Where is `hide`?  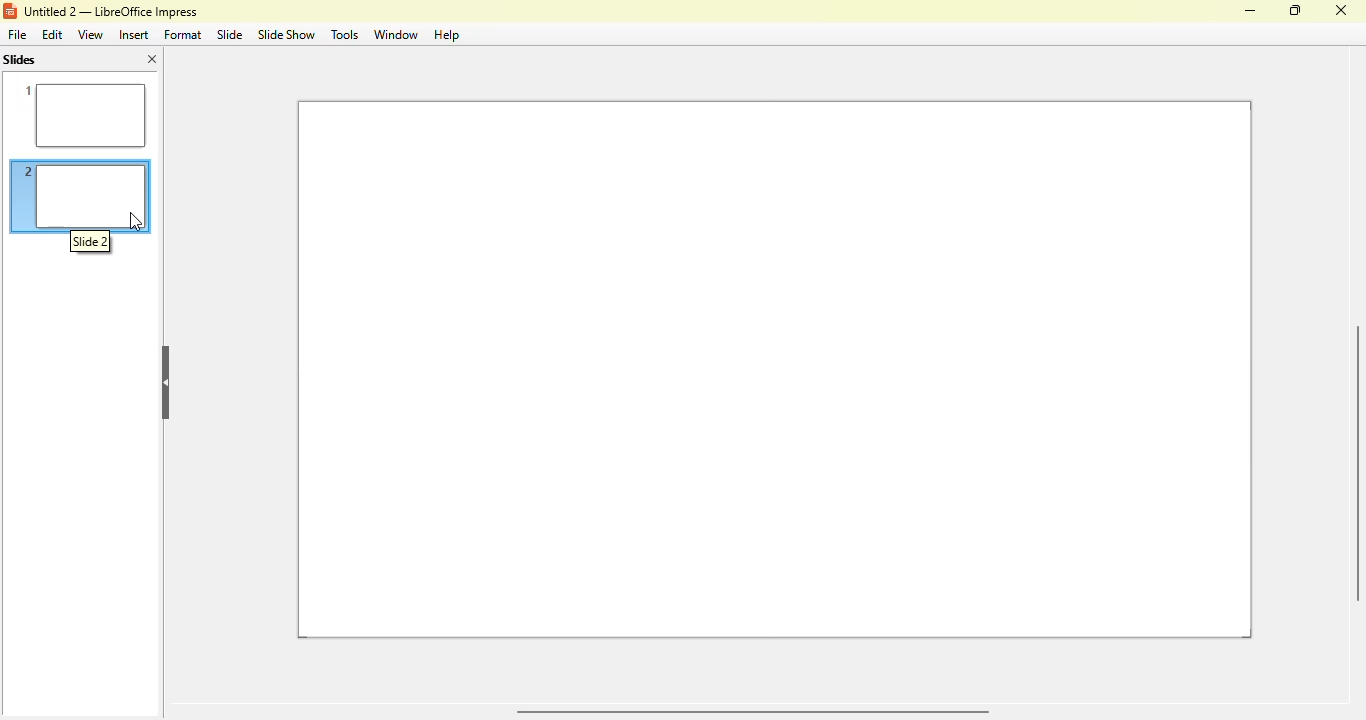 hide is located at coordinates (165, 382).